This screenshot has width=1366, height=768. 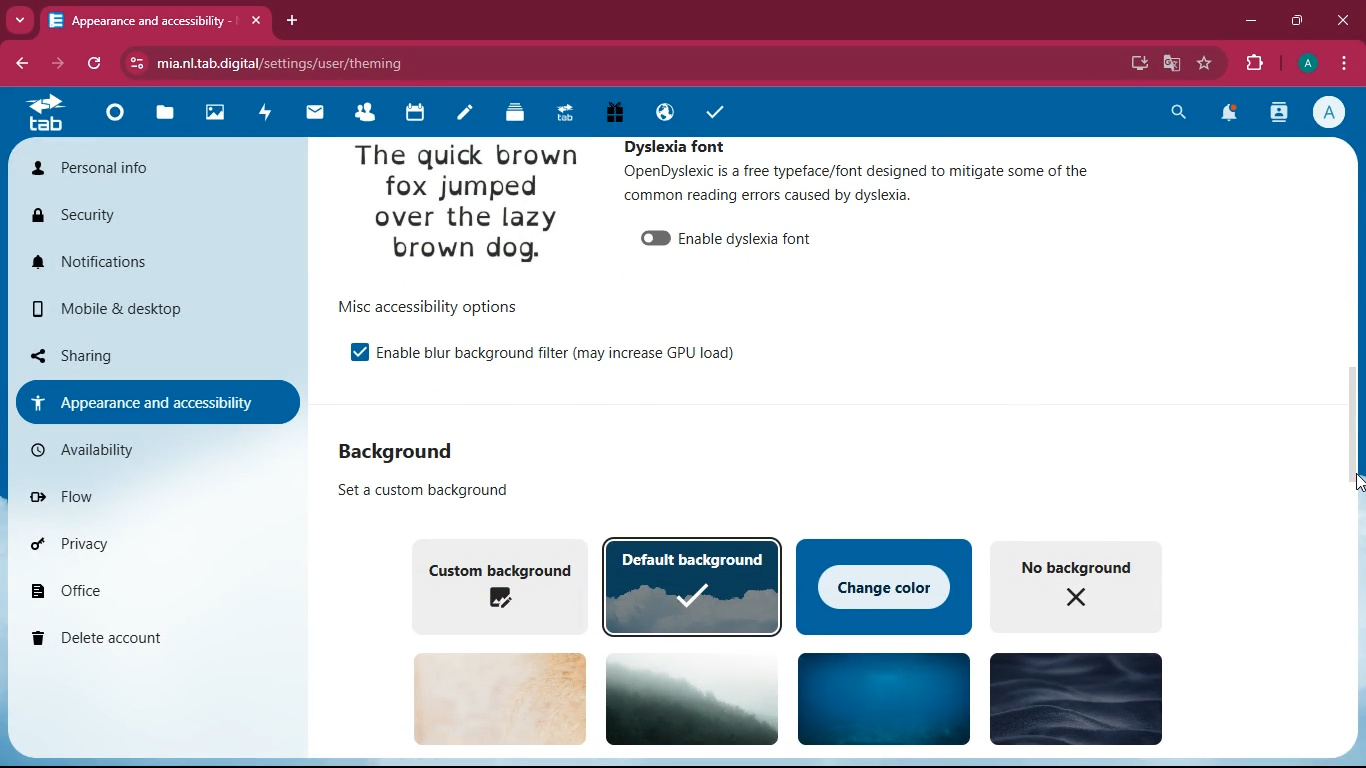 What do you see at coordinates (654, 239) in the screenshot?
I see `enable` at bounding box center [654, 239].